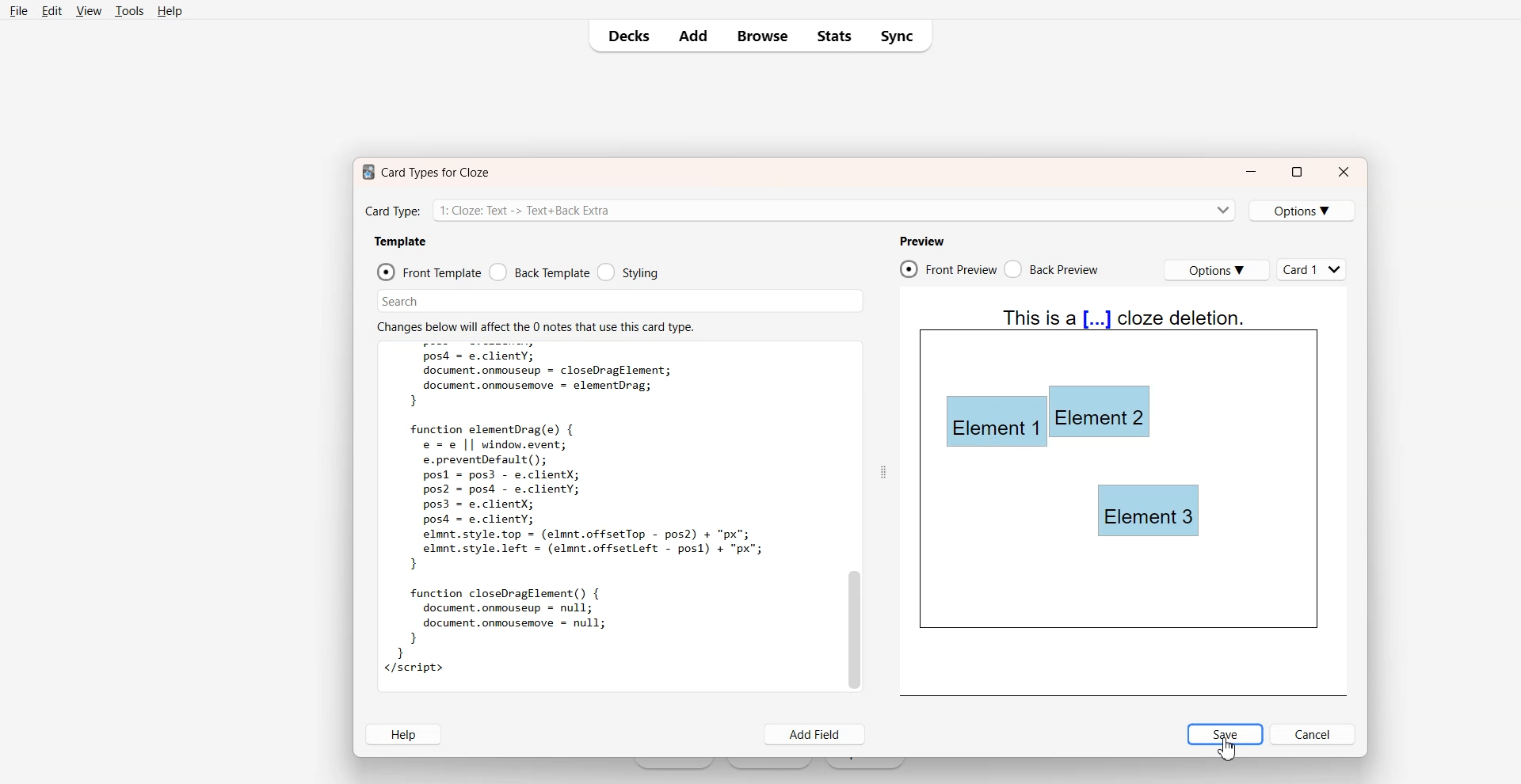 The width and height of the screenshot is (1521, 784). What do you see at coordinates (833, 36) in the screenshot?
I see `Stats` at bounding box center [833, 36].